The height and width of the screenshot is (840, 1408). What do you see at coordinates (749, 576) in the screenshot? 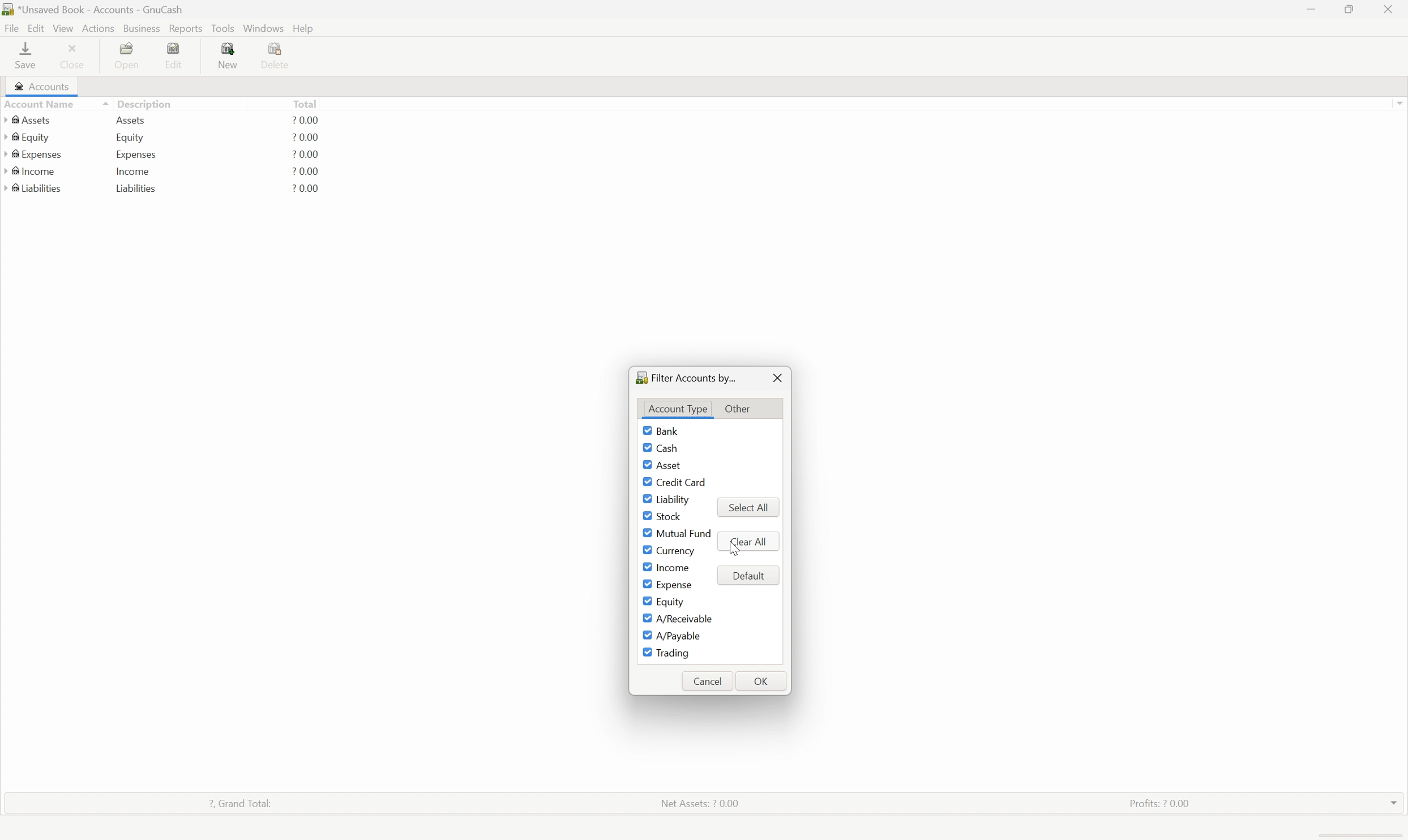
I see `Default` at bounding box center [749, 576].